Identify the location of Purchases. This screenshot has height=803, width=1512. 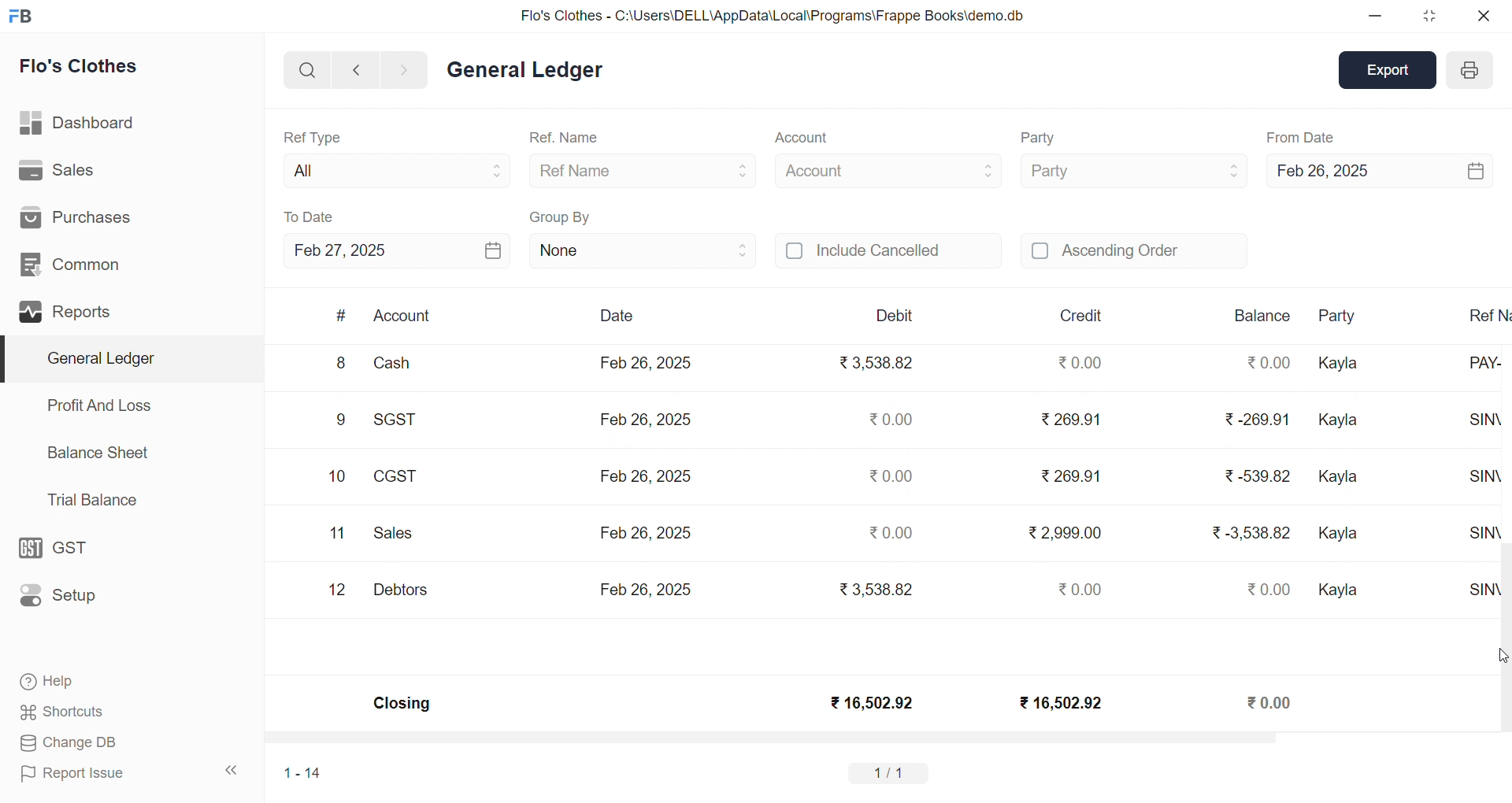
(84, 216).